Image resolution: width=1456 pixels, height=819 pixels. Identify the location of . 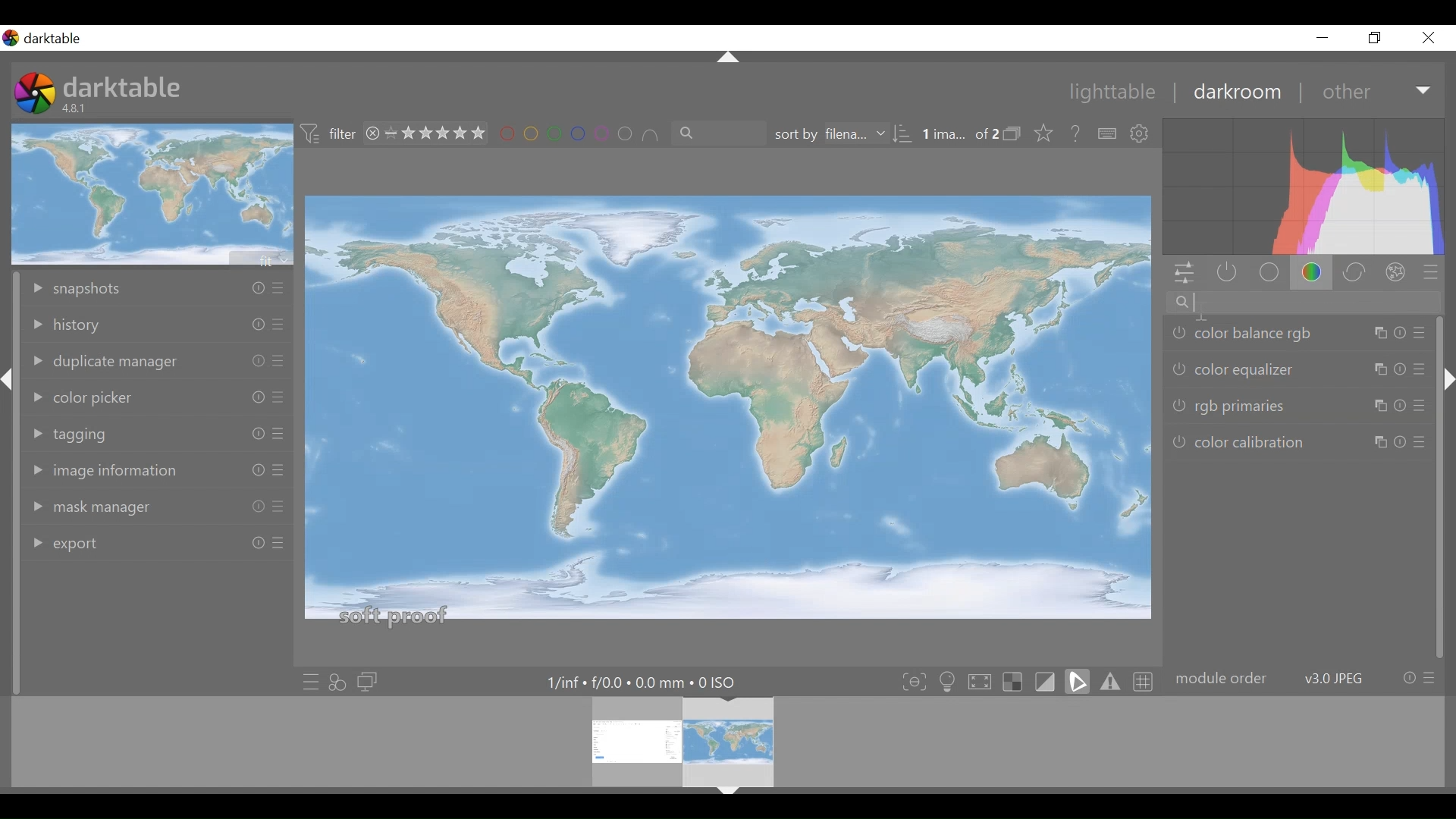
(1417, 409).